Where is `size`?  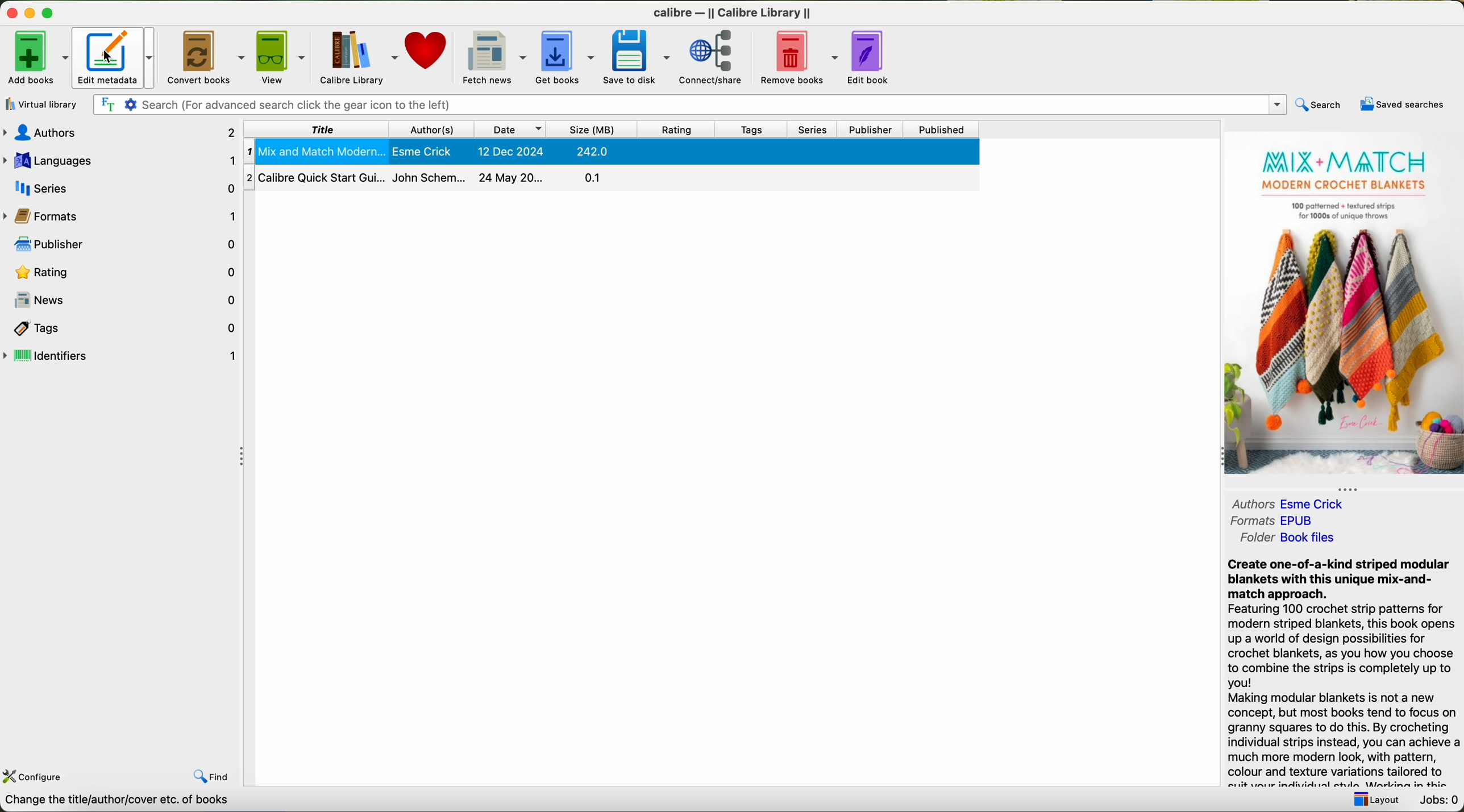 size is located at coordinates (594, 130).